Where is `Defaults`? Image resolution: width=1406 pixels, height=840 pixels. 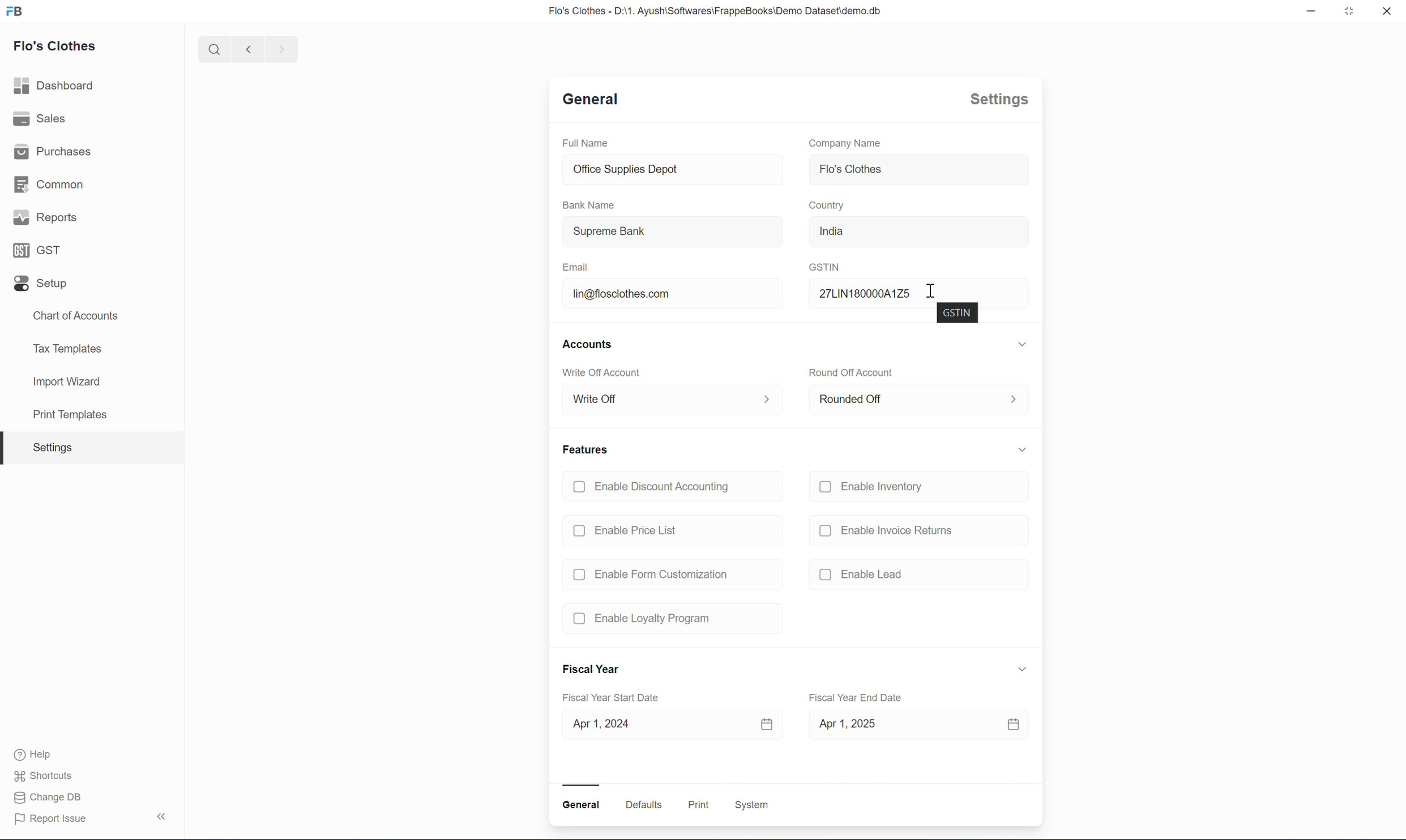 Defaults is located at coordinates (643, 804).